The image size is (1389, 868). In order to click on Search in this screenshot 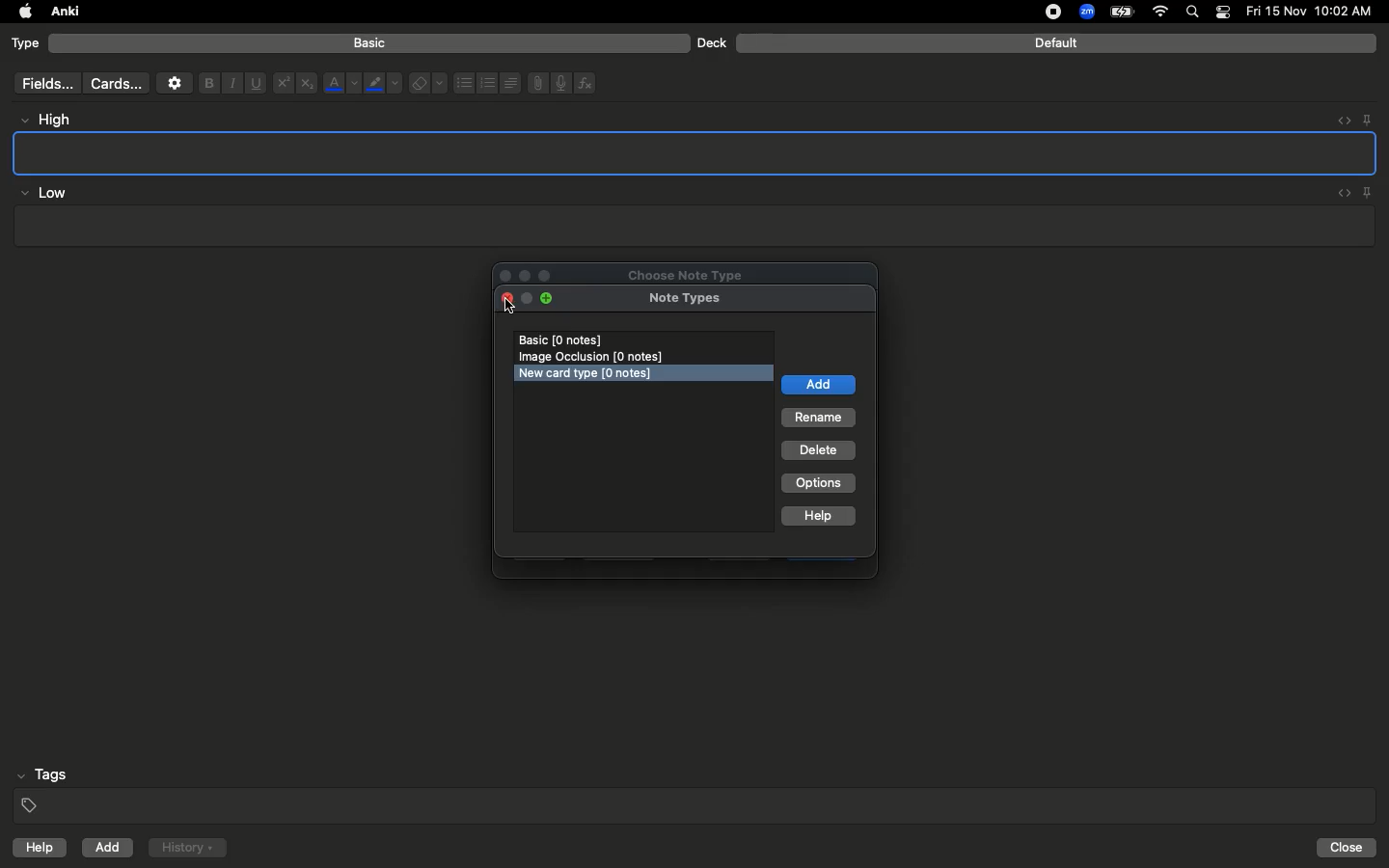, I will do `click(1195, 13)`.